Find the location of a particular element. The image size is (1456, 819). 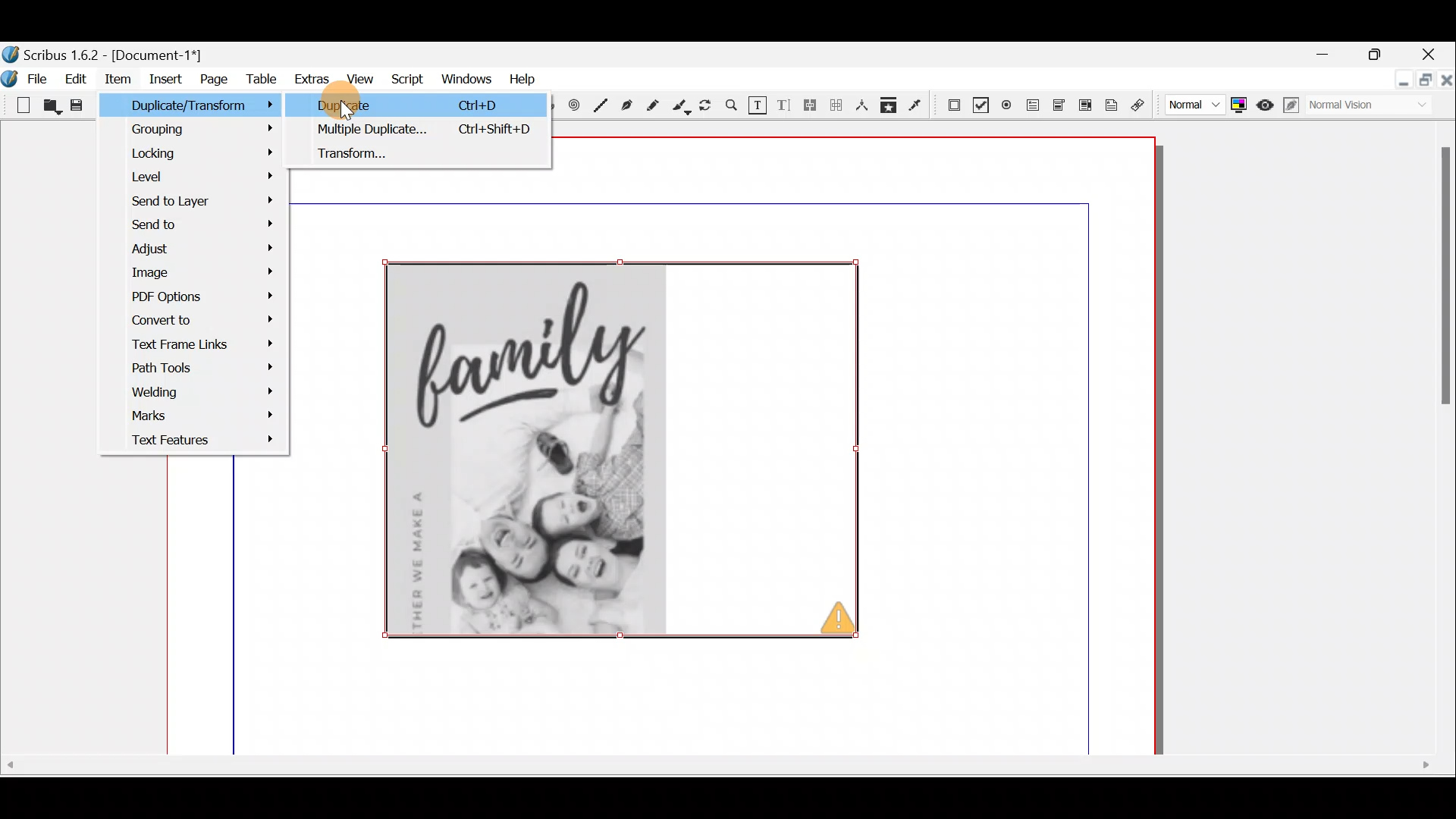

Link text frames is located at coordinates (811, 108).